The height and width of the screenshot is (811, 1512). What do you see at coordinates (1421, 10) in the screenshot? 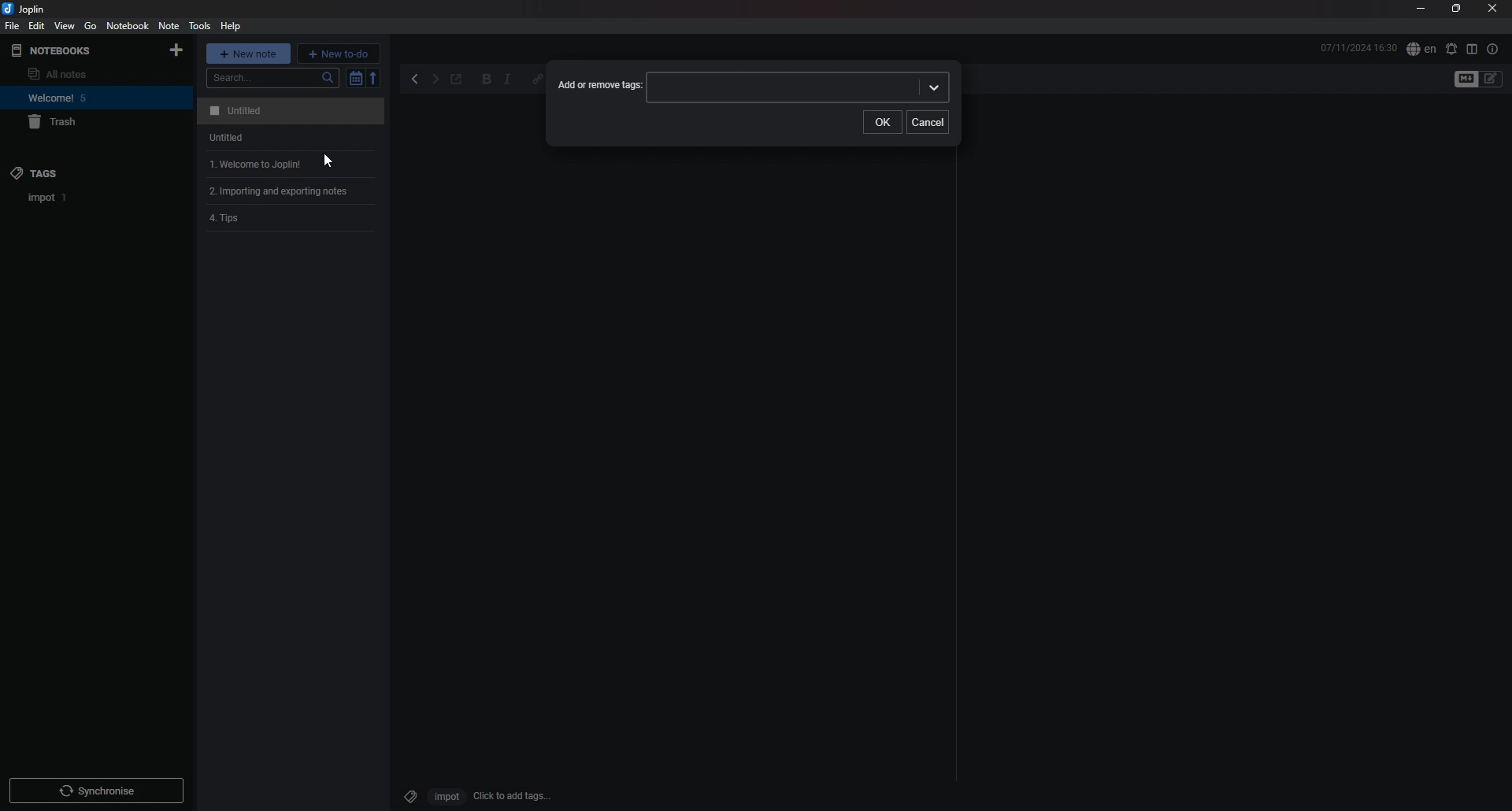
I see `minimize` at bounding box center [1421, 10].